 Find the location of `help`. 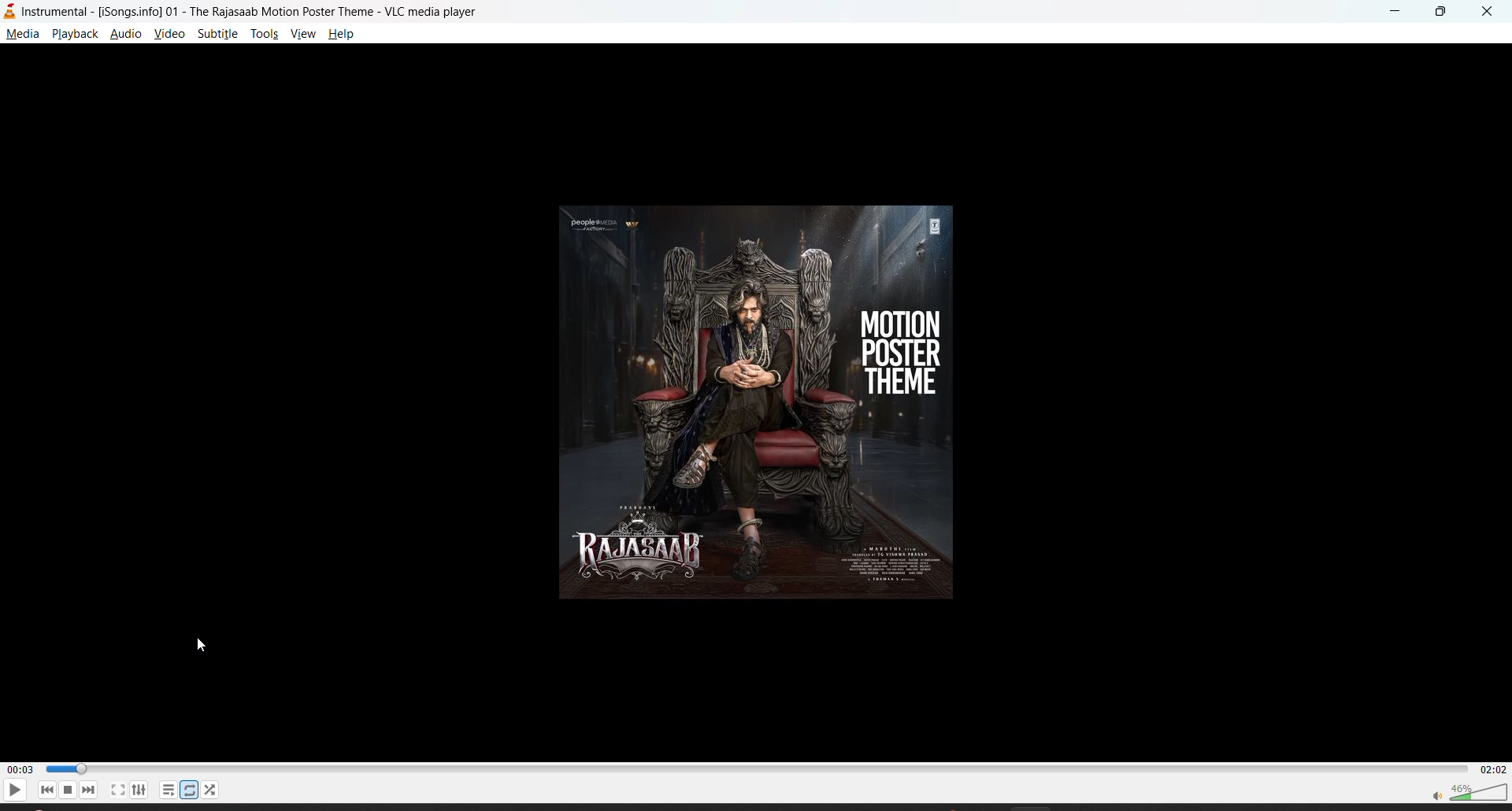

help is located at coordinates (343, 34).